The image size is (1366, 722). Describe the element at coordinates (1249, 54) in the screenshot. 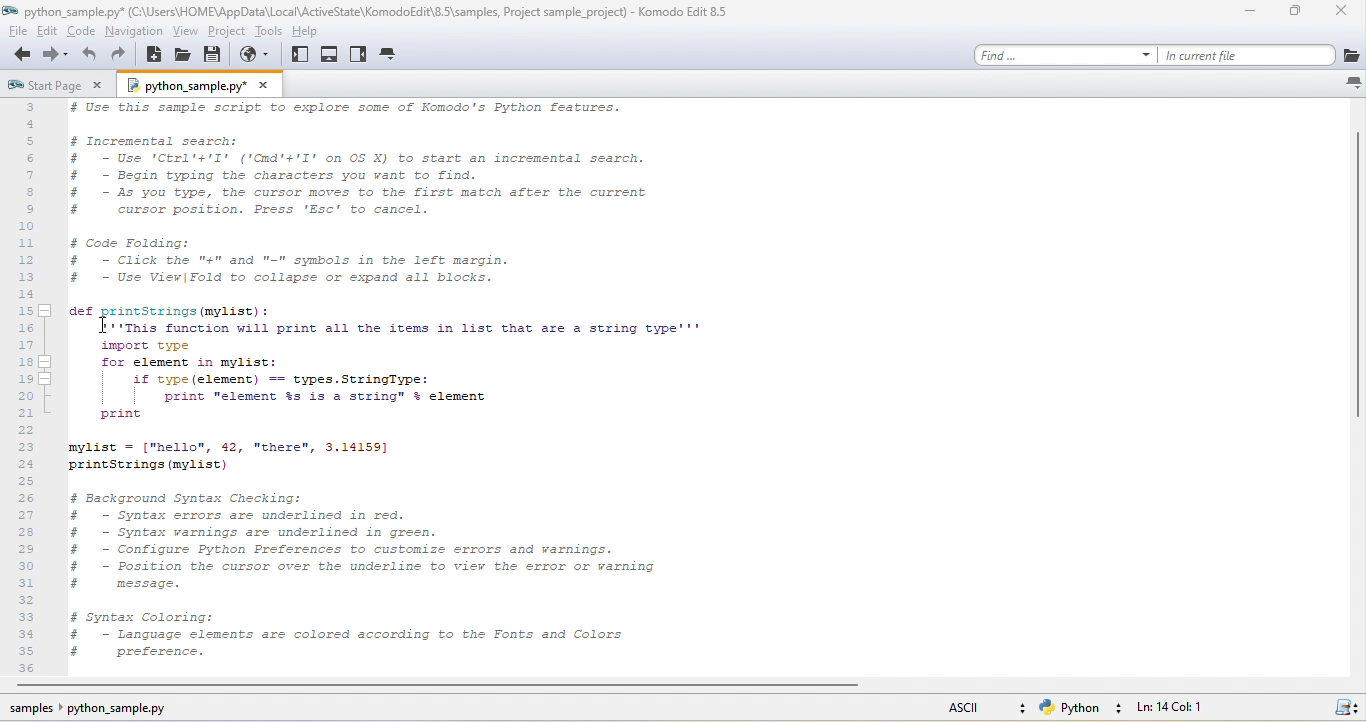

I see `in current file` at that location.